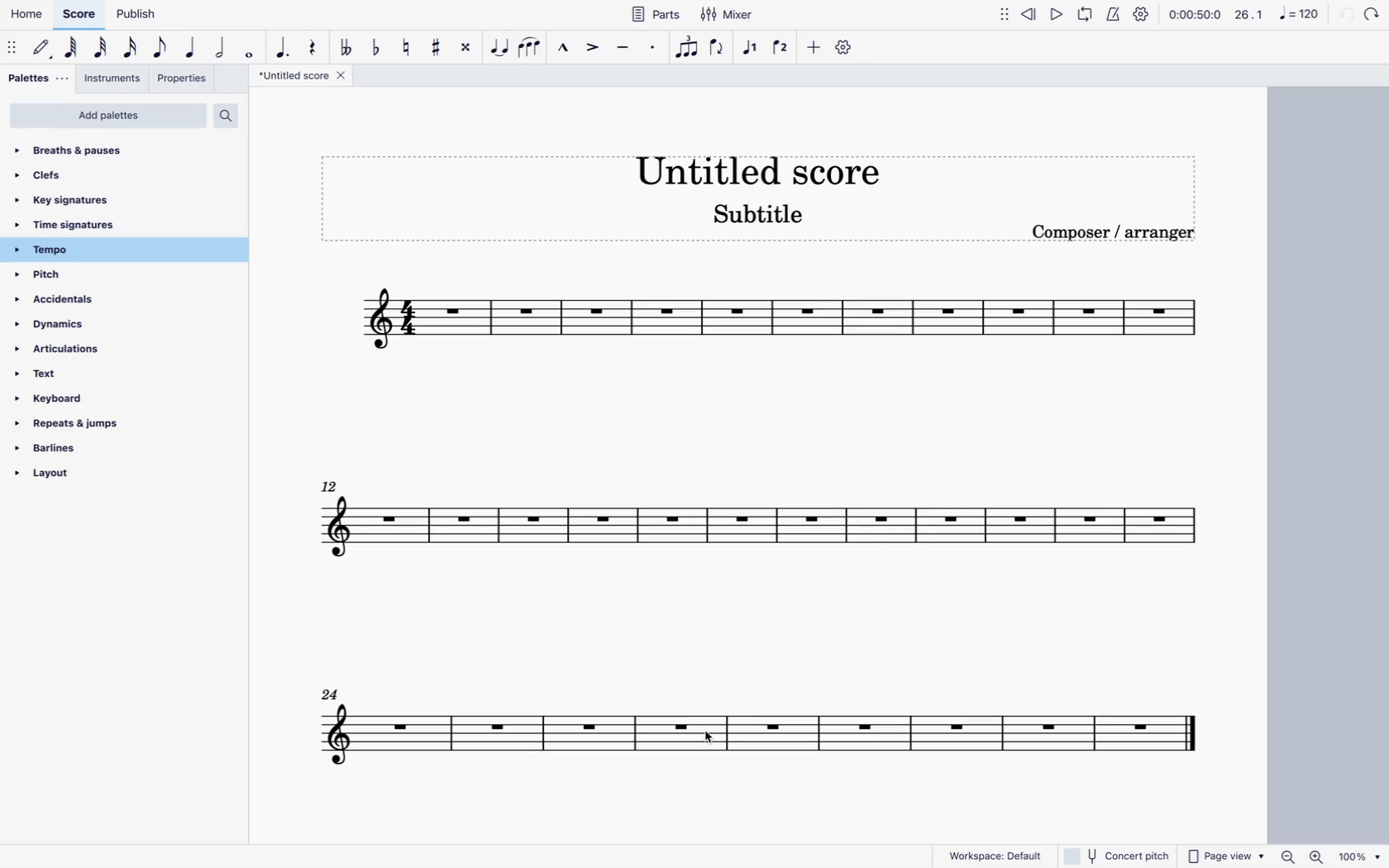 The width and height of the screenshot is (1389, 868). I want to click on quarter note, so click(192, 46).